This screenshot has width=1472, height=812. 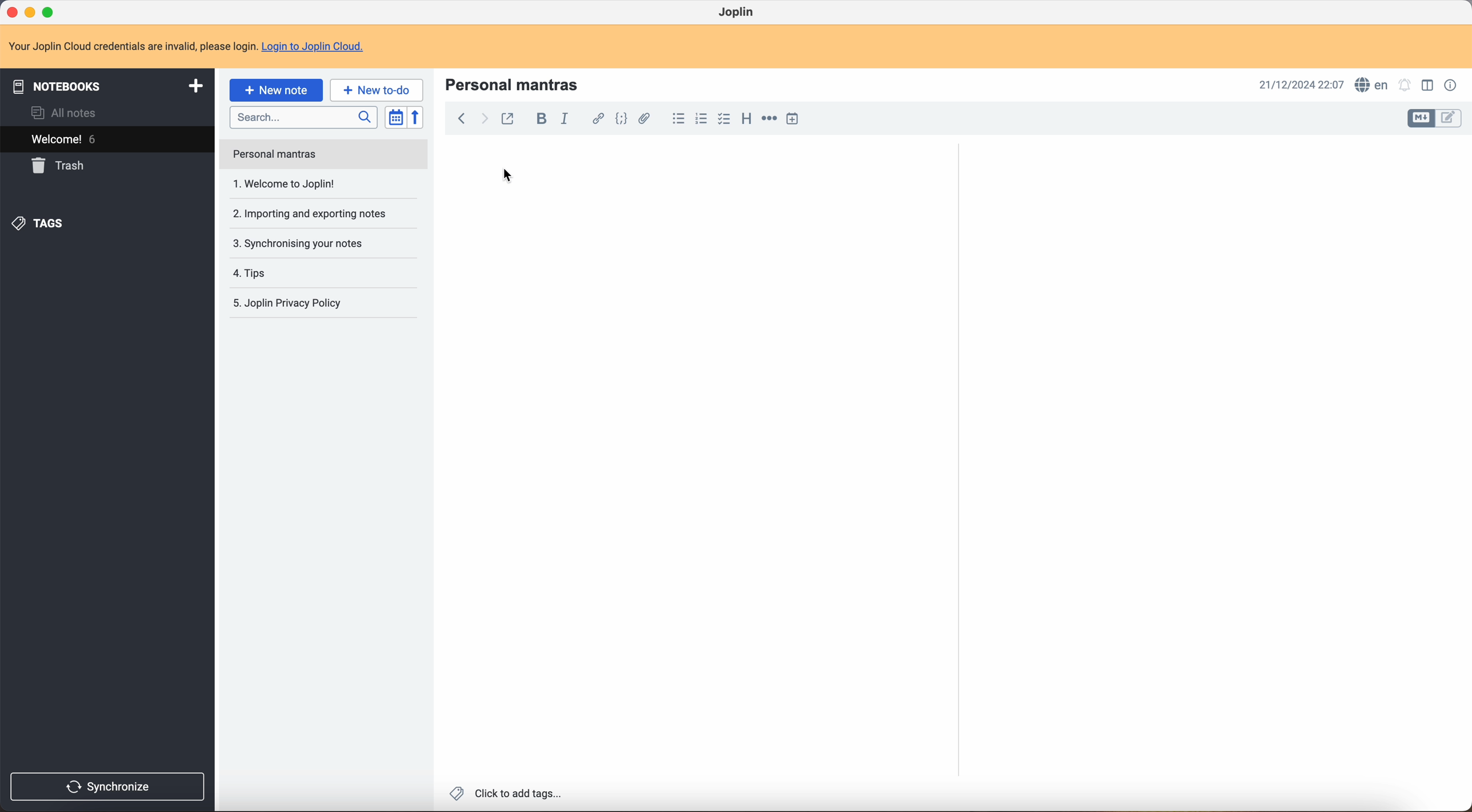 I want to click on code, so click(x=622, y=121).